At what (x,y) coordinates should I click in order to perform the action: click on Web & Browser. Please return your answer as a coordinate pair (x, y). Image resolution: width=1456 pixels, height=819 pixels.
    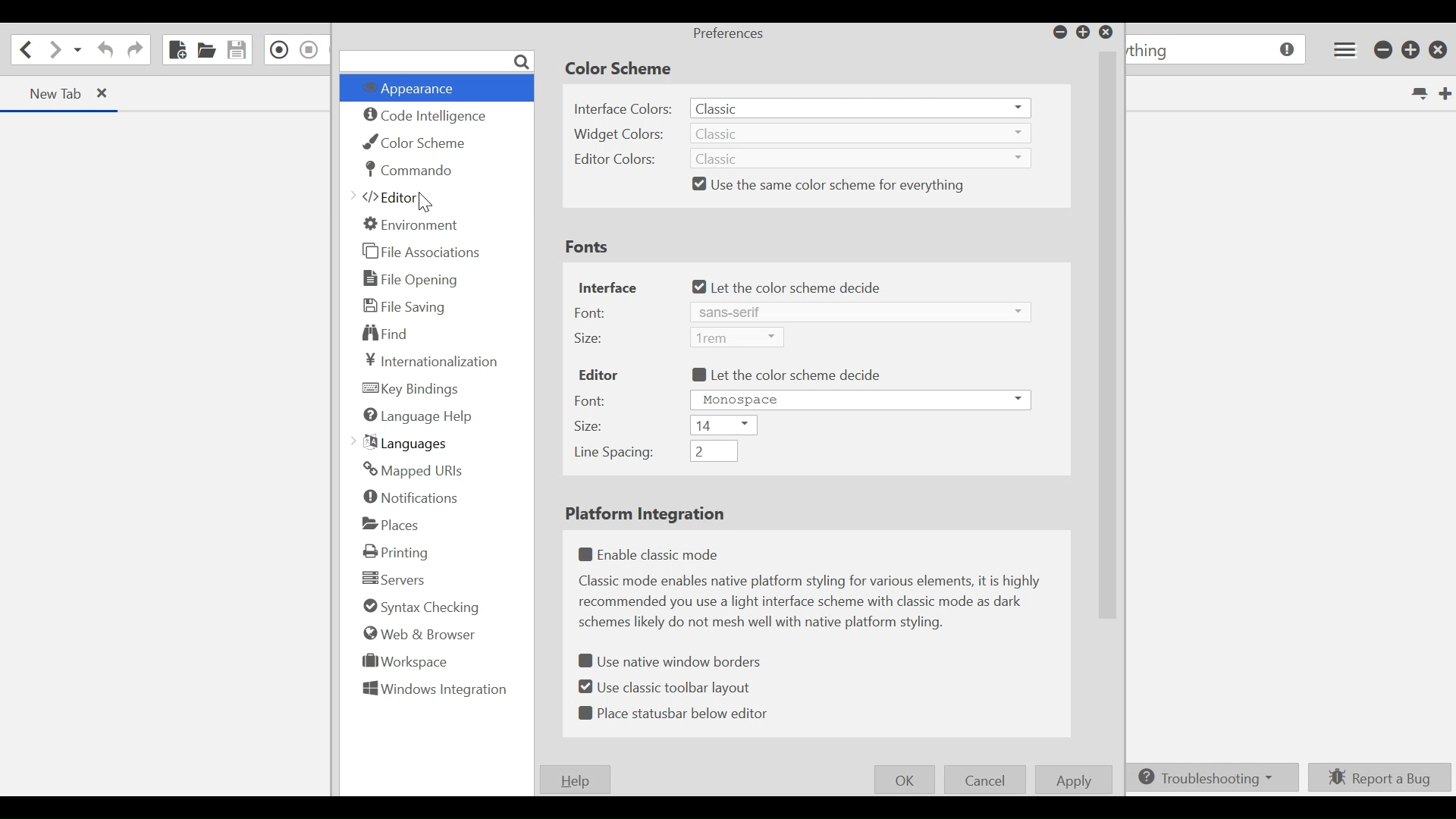
    Looking at the image, I should click on (417, 633).